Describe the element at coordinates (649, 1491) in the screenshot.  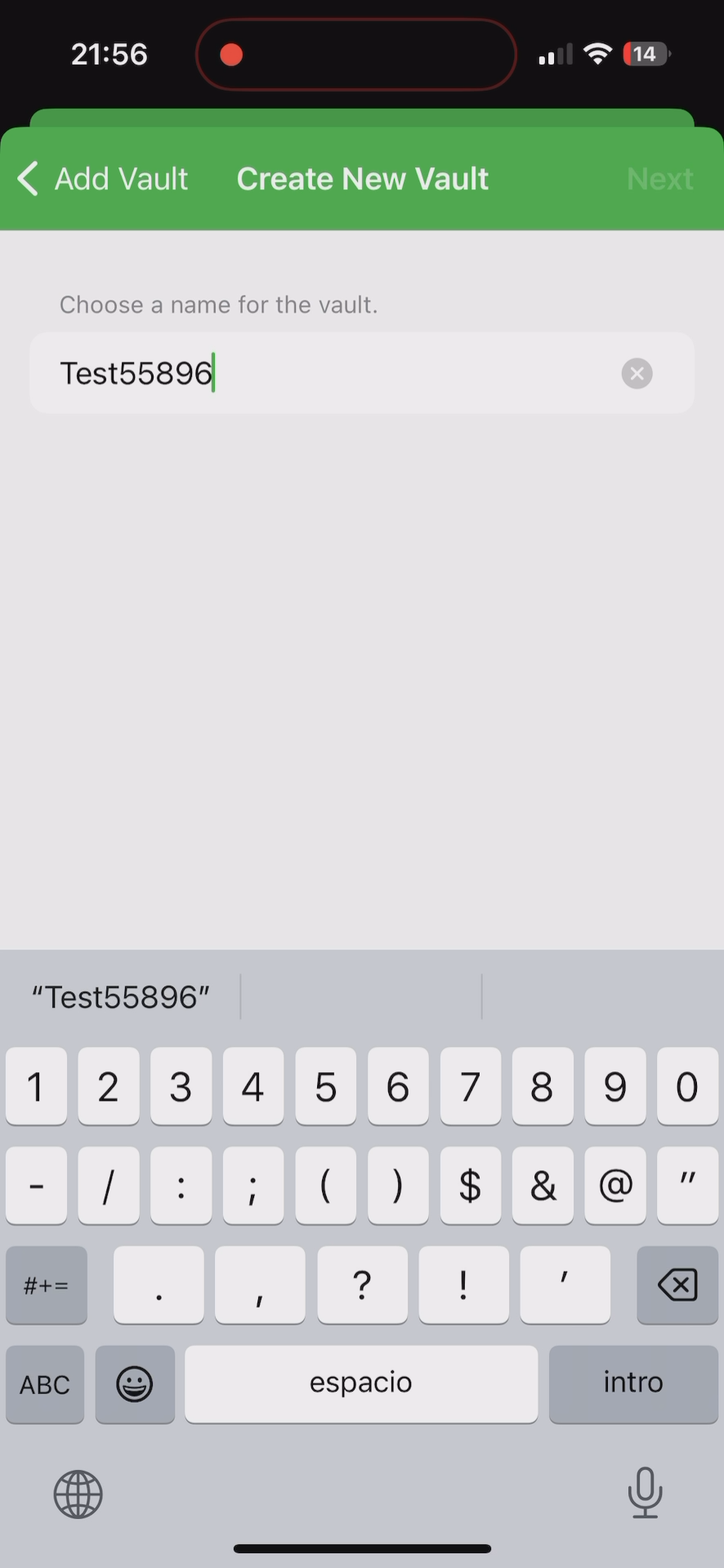
I see `voice input` at that location.